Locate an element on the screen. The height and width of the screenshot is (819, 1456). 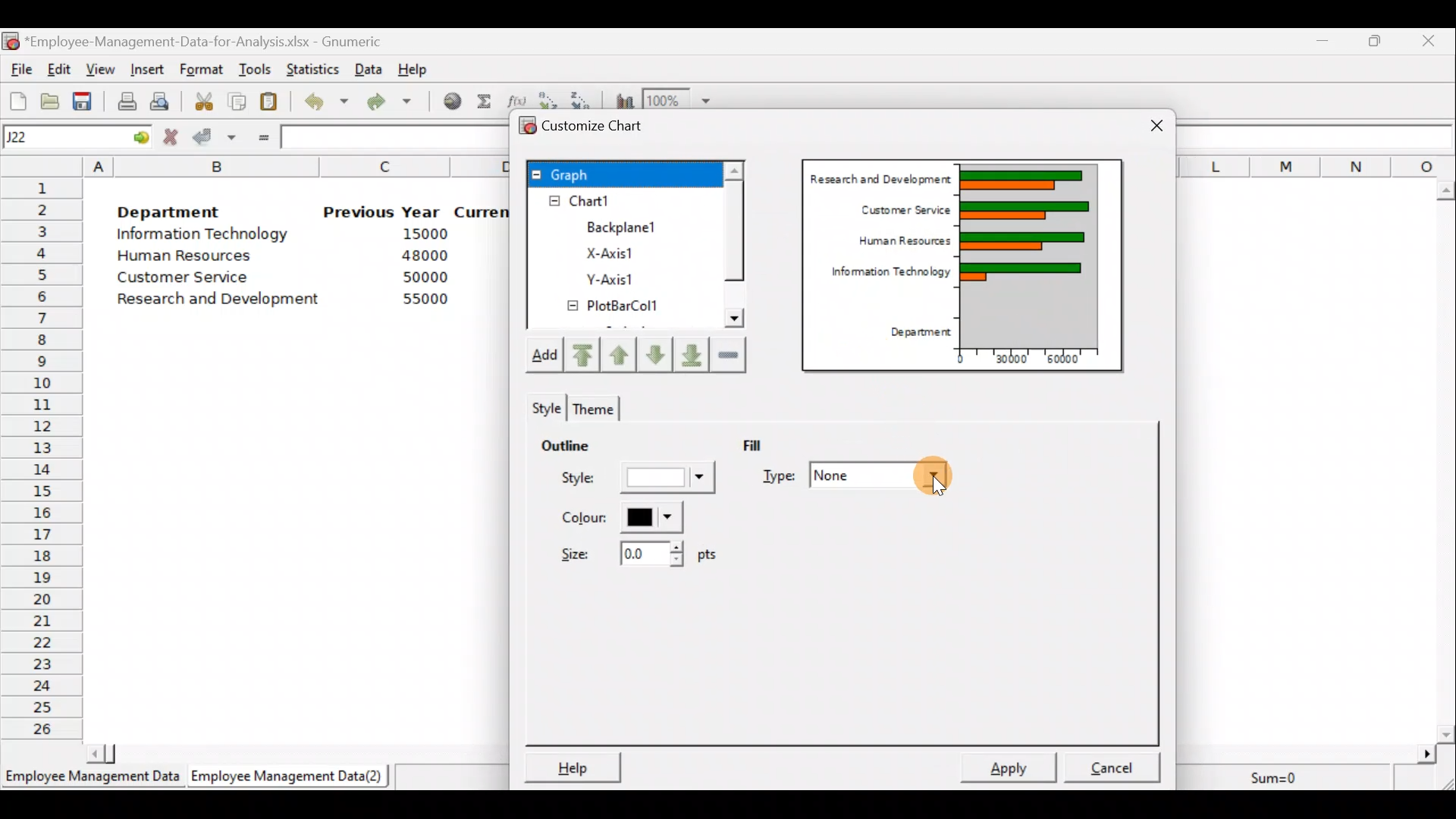
Formula bar is located at coordinates (1320, 136).